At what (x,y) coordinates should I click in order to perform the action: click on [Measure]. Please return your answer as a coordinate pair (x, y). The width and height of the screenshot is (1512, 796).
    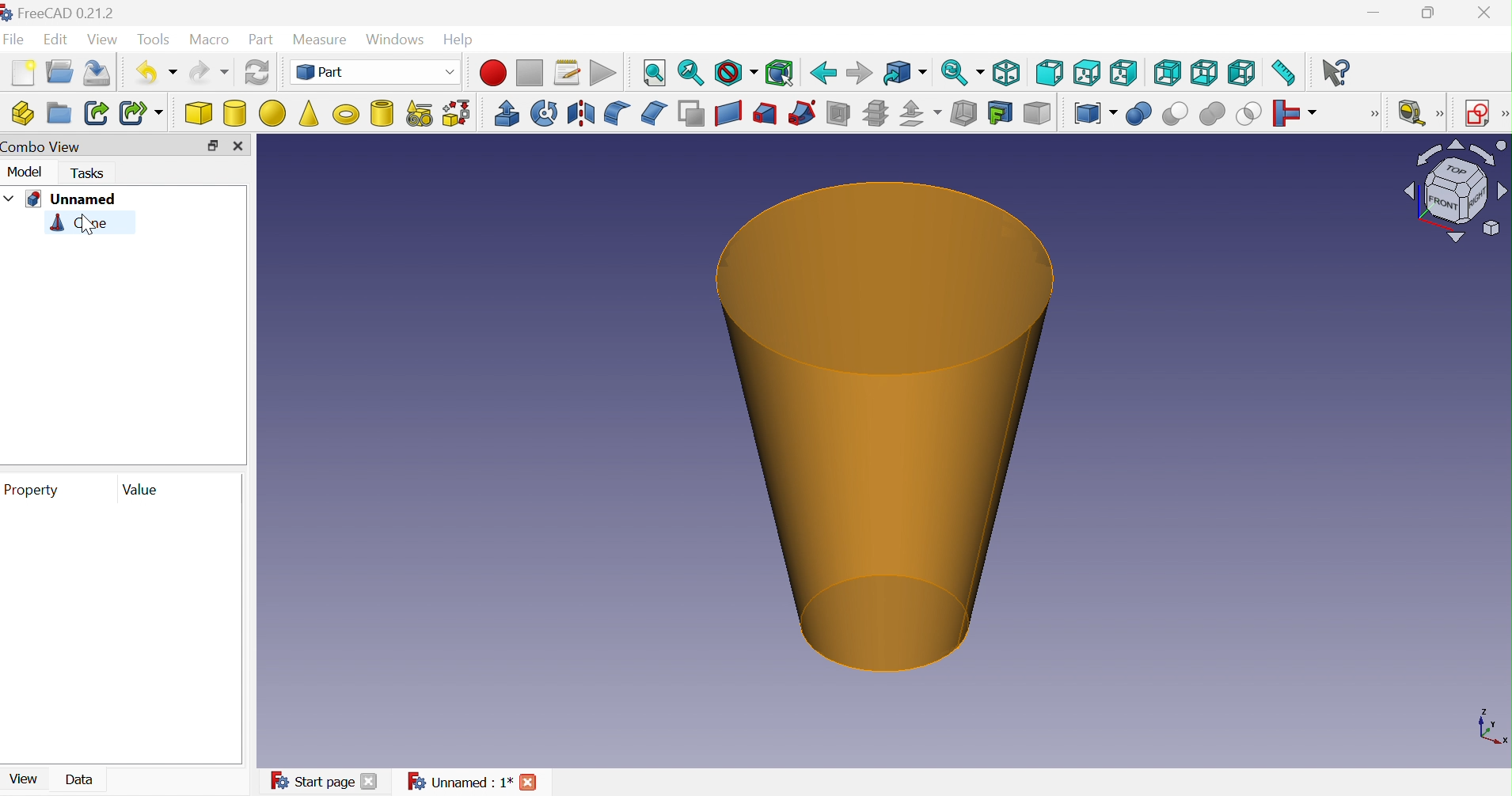
    Looking at the image, I should click on (1442, 114).